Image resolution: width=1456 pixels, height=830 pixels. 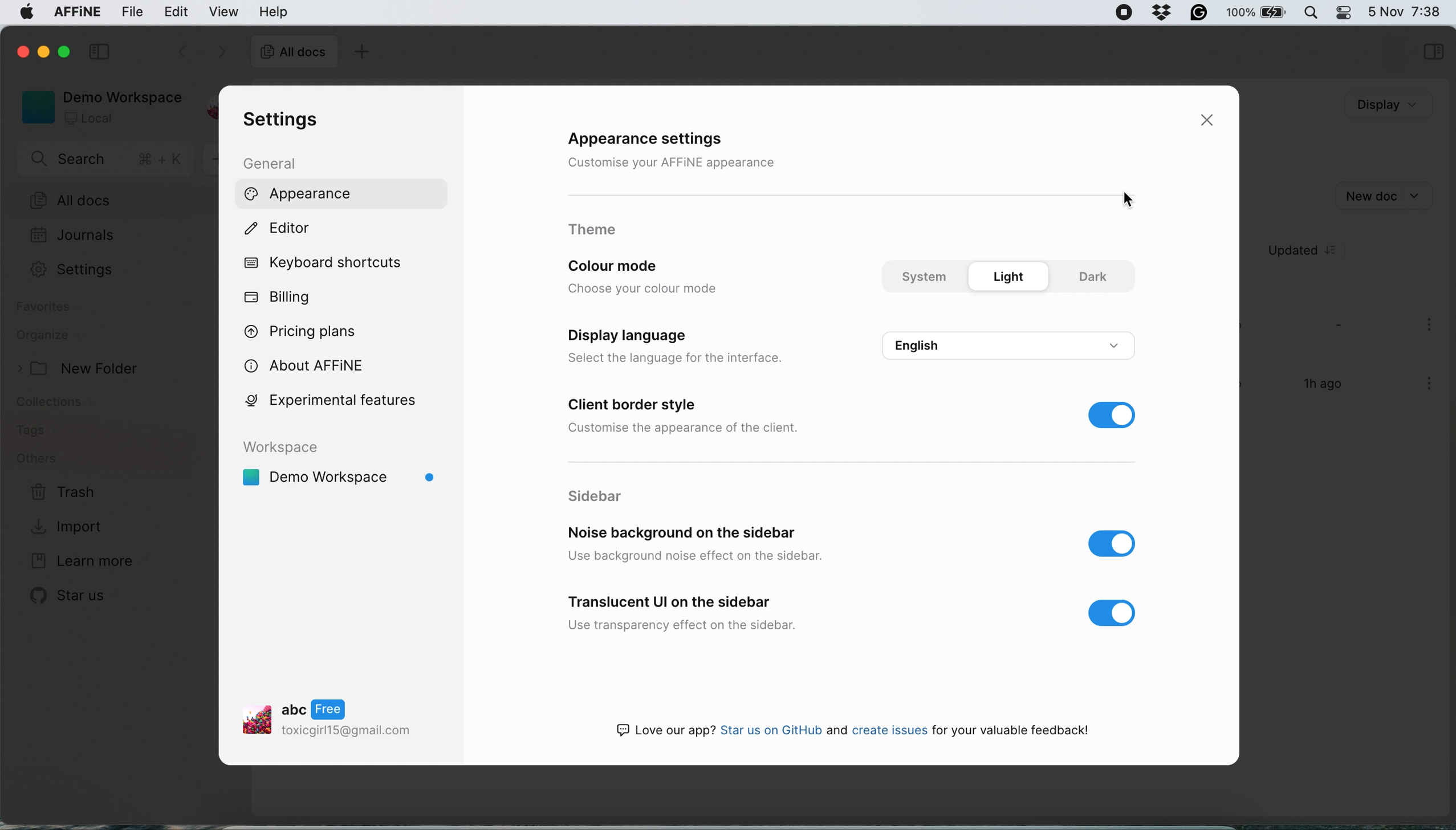 I want to click on collections, so click(x=71, y=401).